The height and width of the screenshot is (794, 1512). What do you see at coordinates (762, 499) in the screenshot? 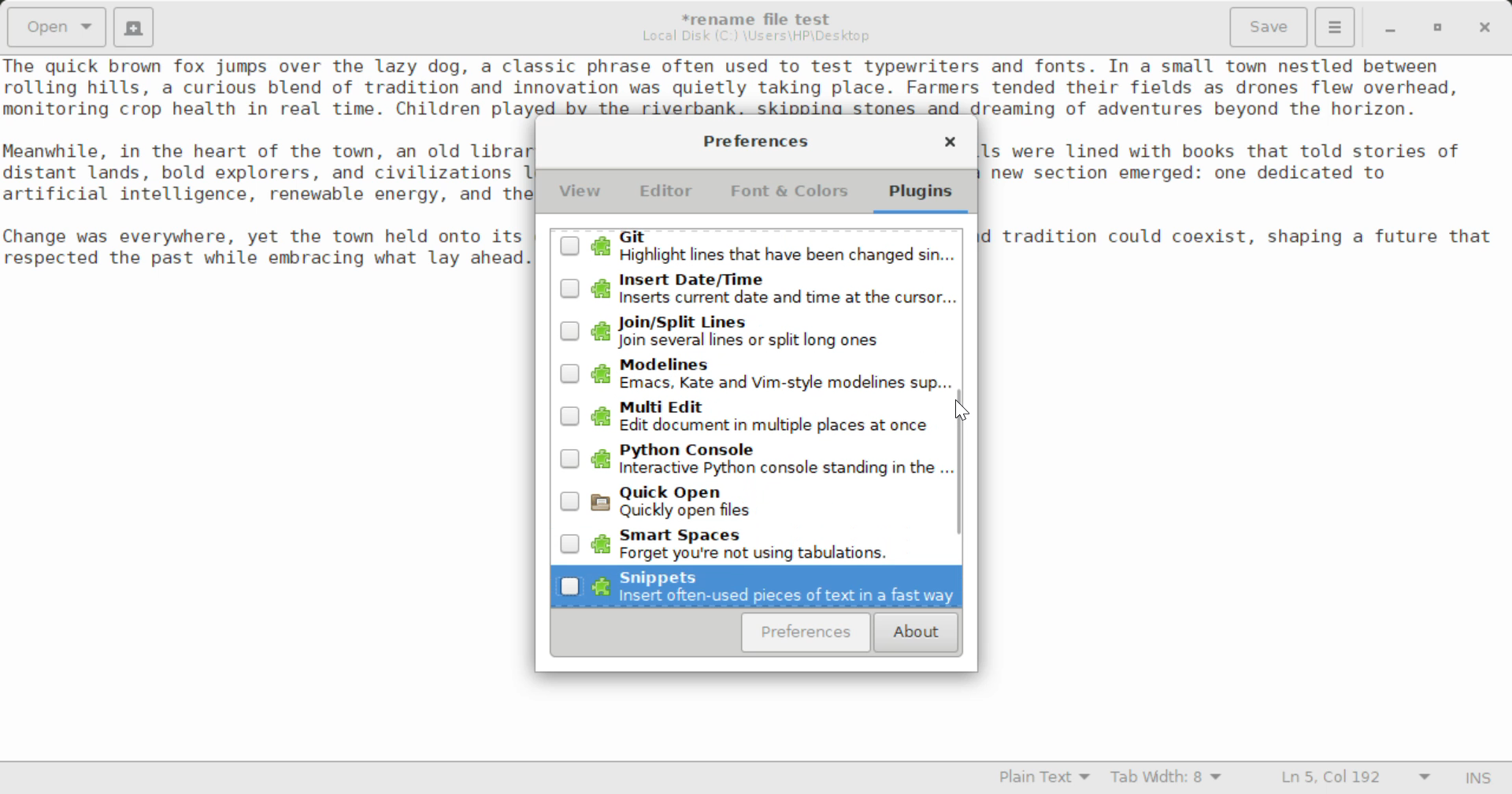
I see `Quickly Open Plugin Button Unselected` at bounding box center [762, 499].